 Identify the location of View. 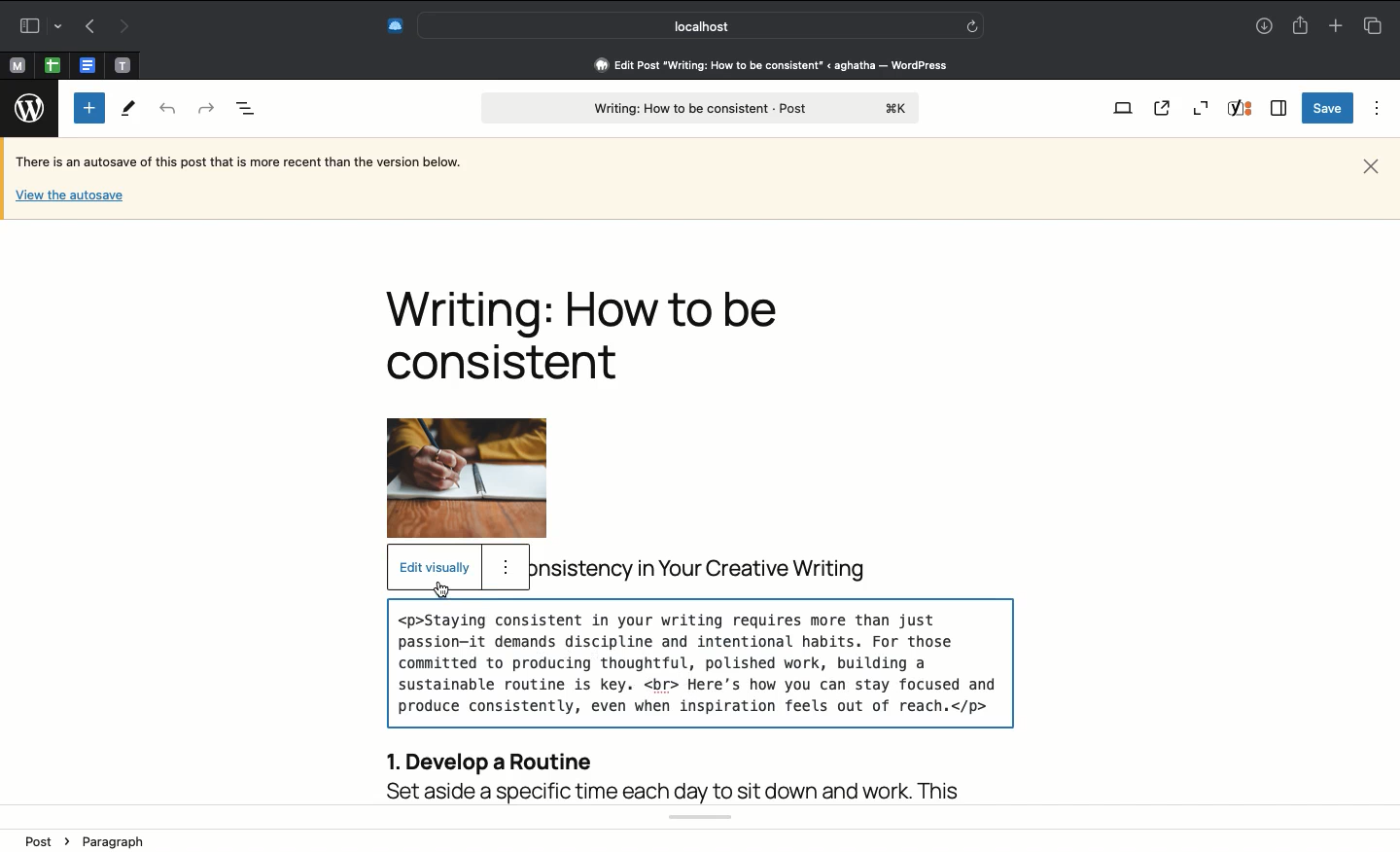
(1122, 110).